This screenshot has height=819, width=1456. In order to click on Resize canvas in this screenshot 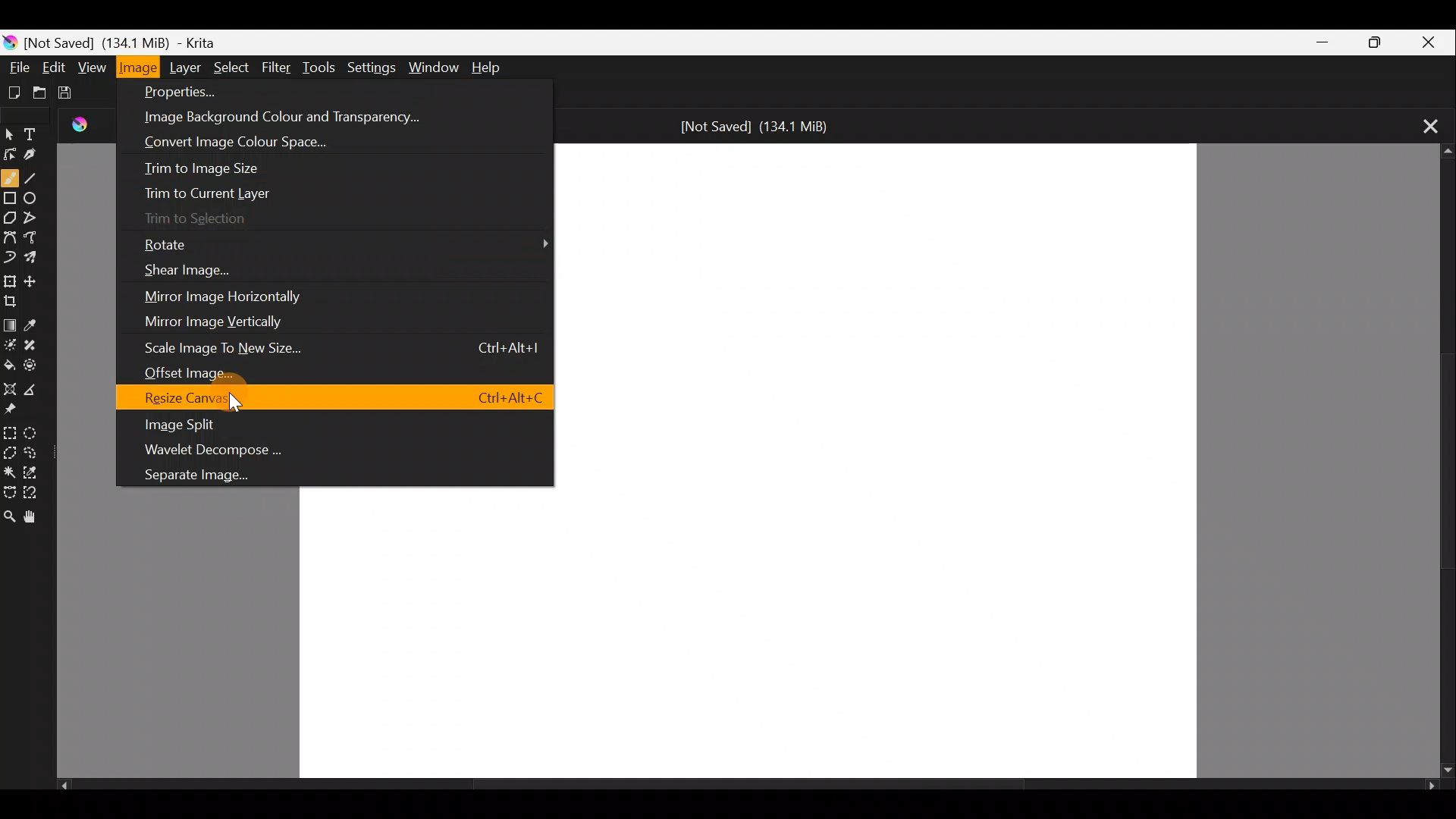, I will do `click(337, 399)`.